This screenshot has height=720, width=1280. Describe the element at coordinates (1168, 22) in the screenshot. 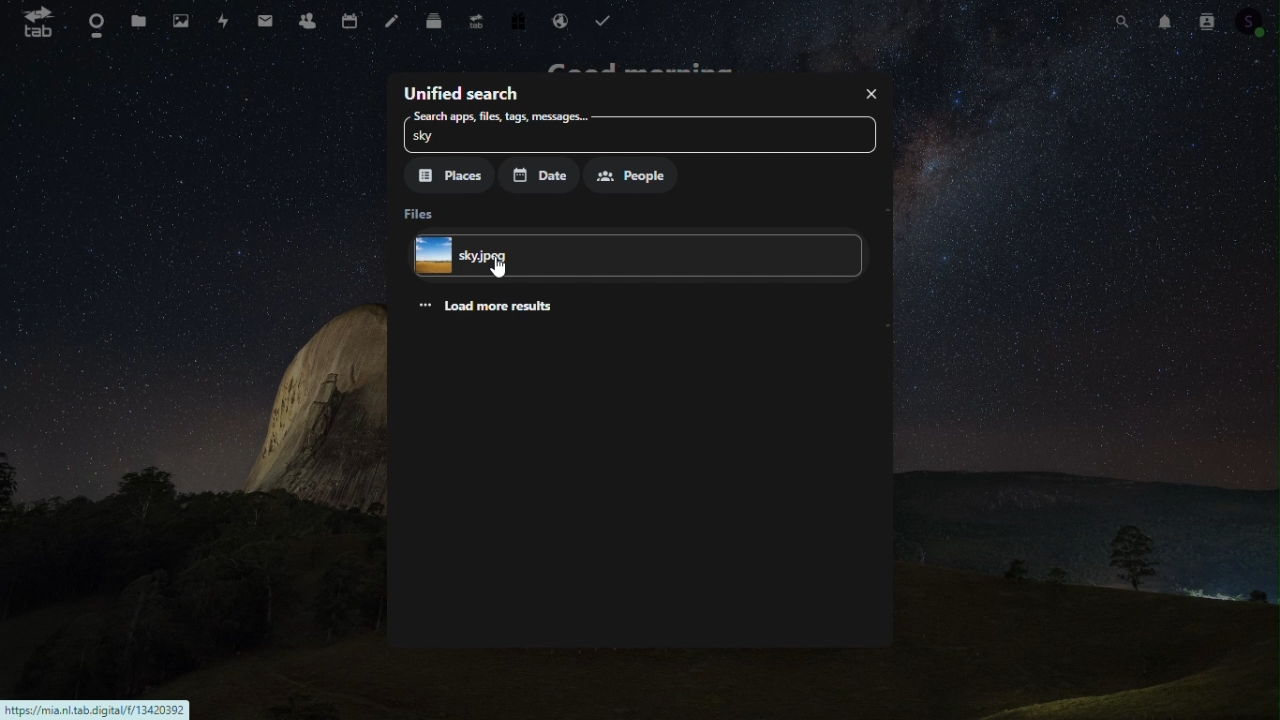

I see `Notification` at that location.